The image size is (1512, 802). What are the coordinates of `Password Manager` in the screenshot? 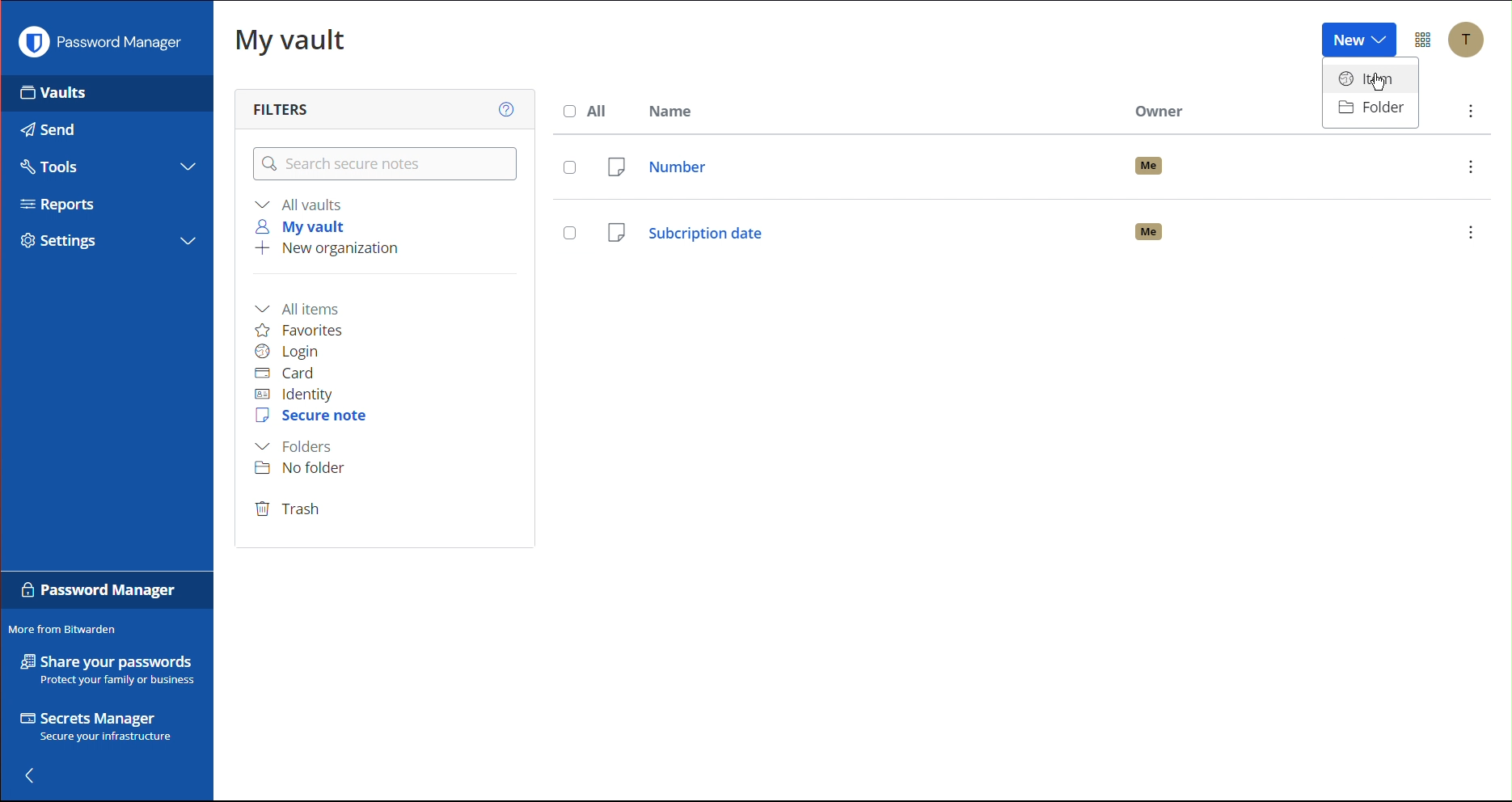 It's located at (99, 46).